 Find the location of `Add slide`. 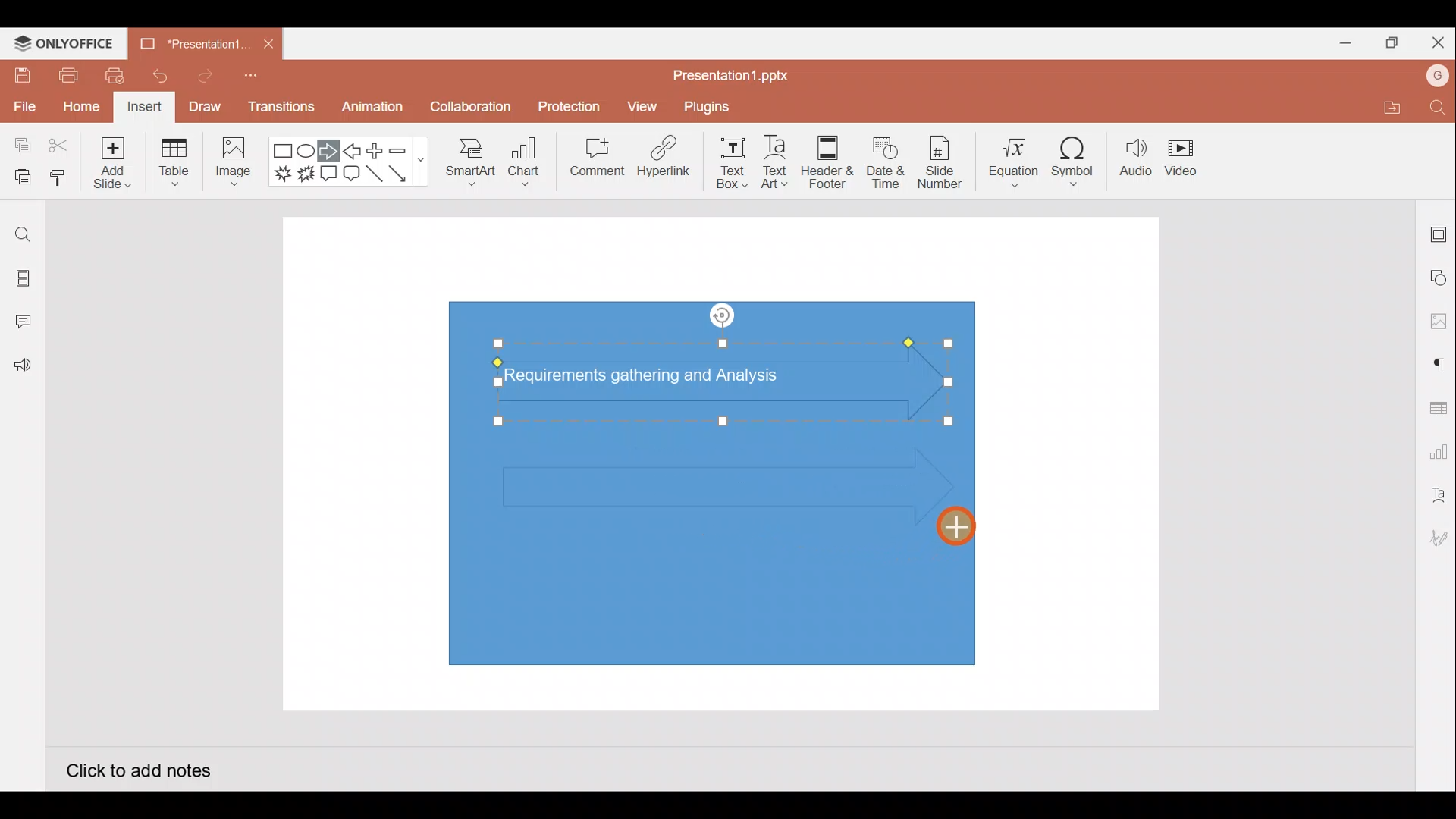

Add slide is located at coordinates (110, 159).